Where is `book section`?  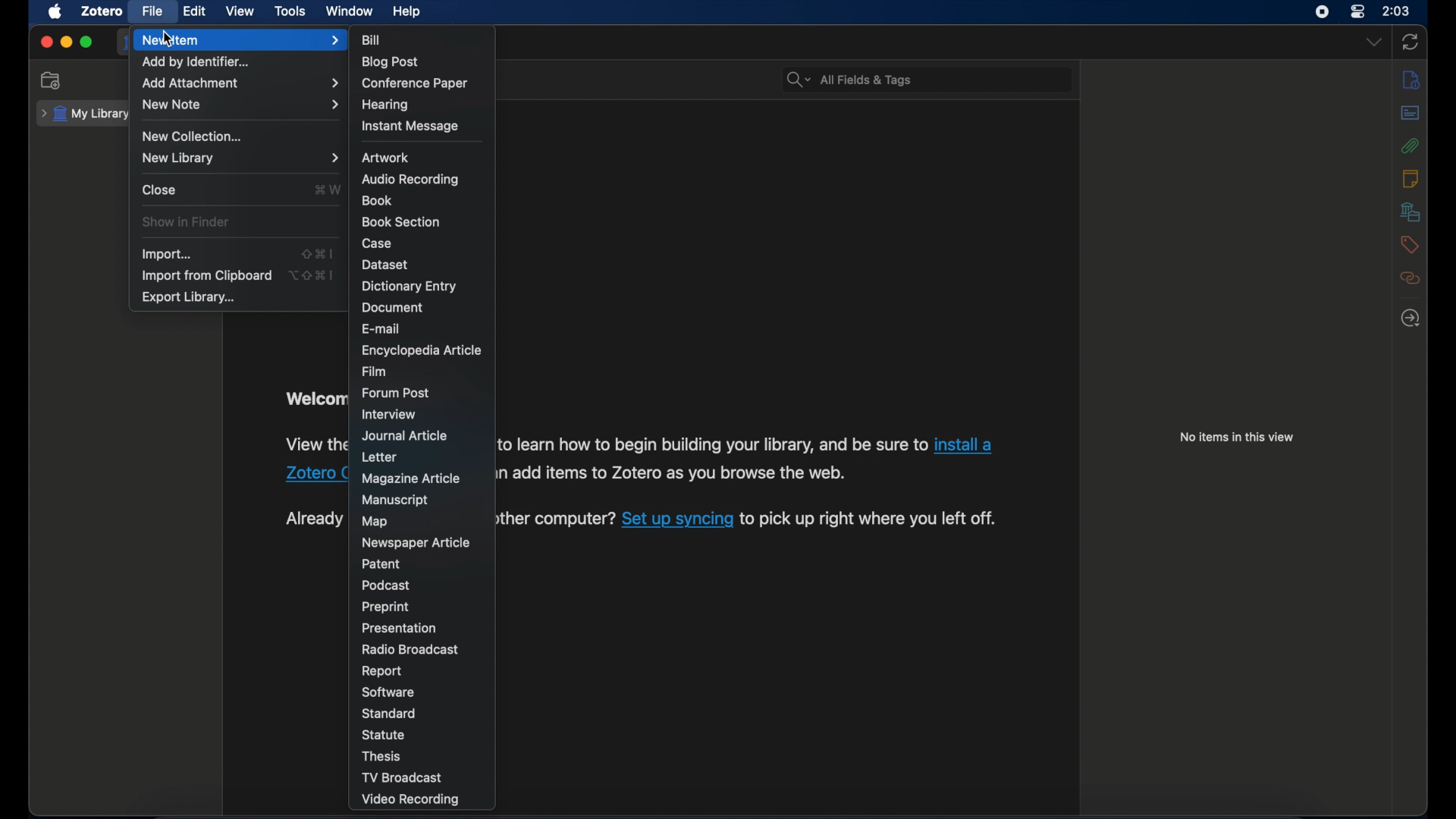
book section is located at coordinates (401, 222).